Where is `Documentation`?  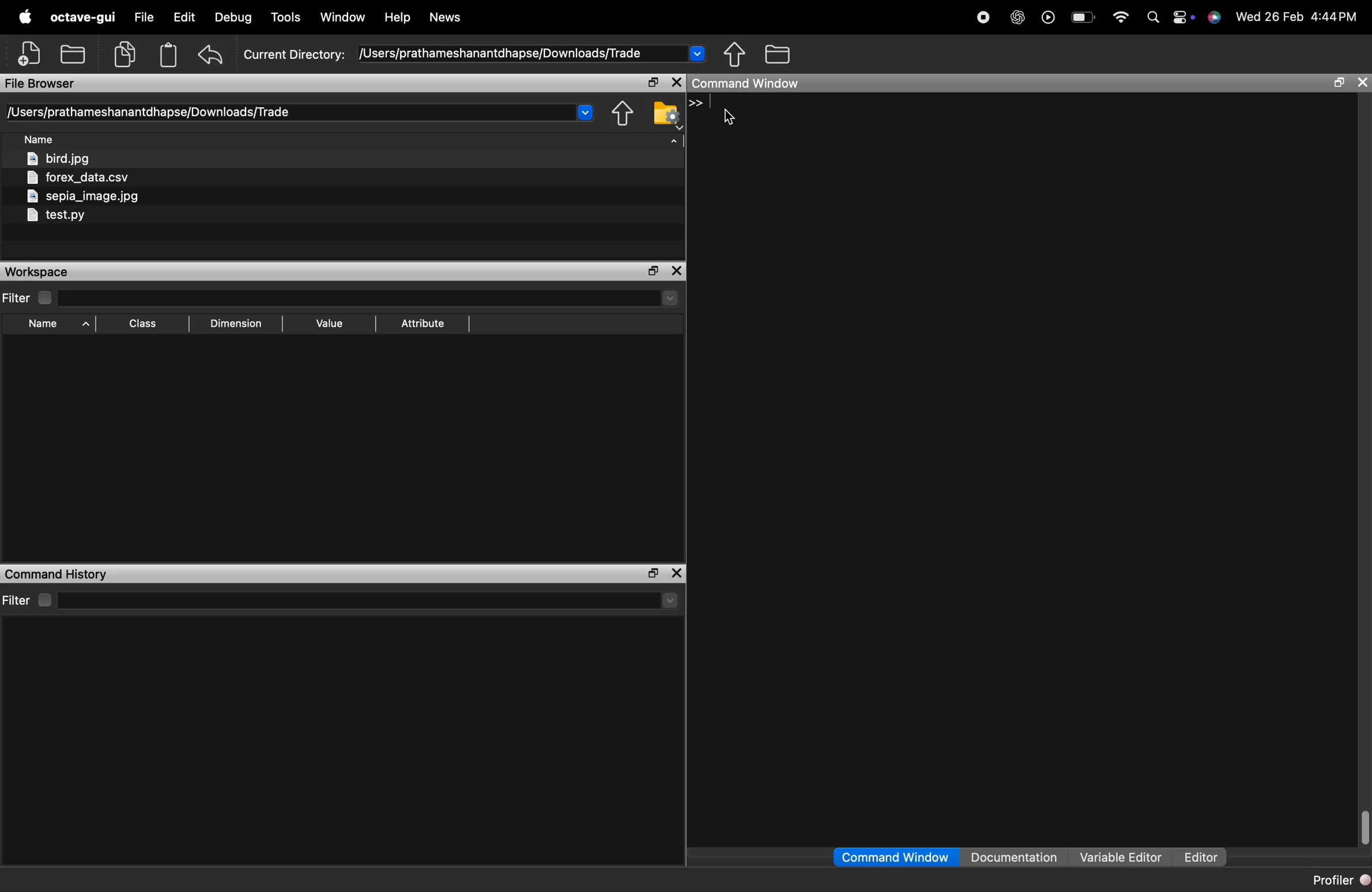 Documentation is located at coordinates (1015, 856).